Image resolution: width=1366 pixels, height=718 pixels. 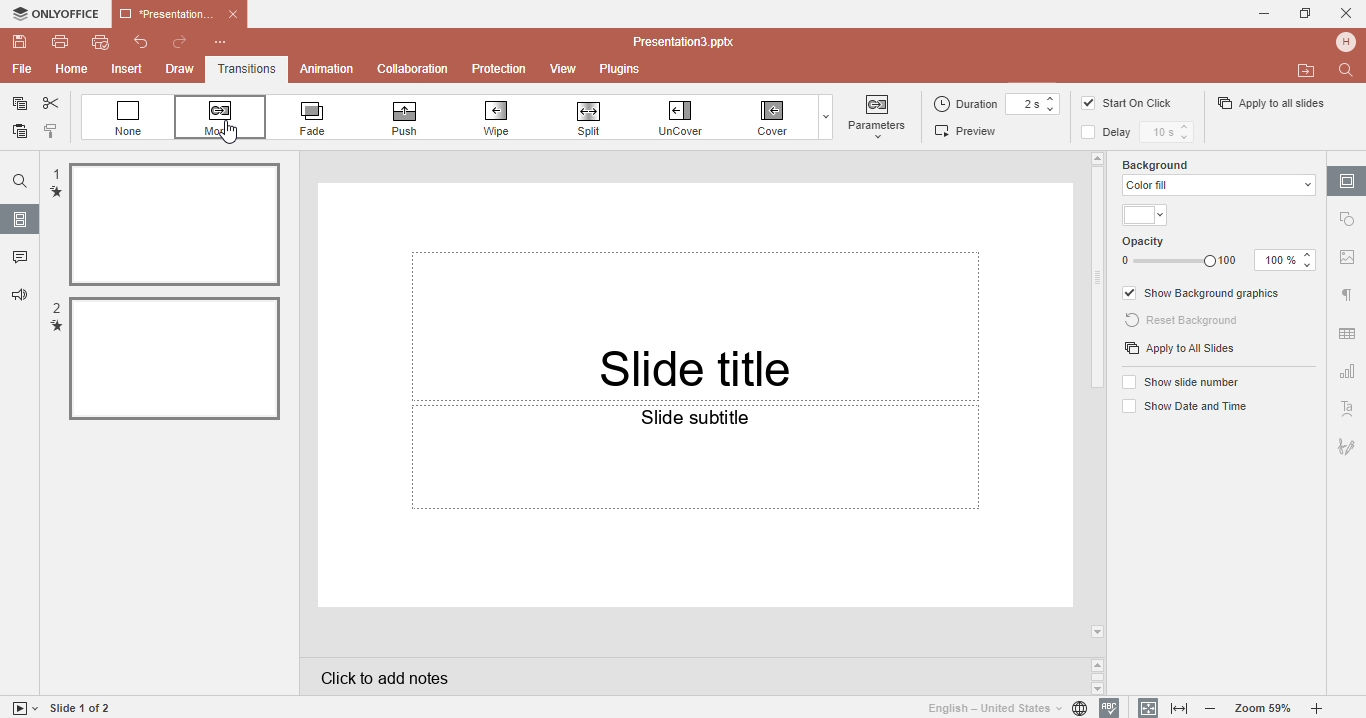 What do you see at coordinates (775, 118) in the screenshot?
I see `Cover` at bounding box center [775, 118].